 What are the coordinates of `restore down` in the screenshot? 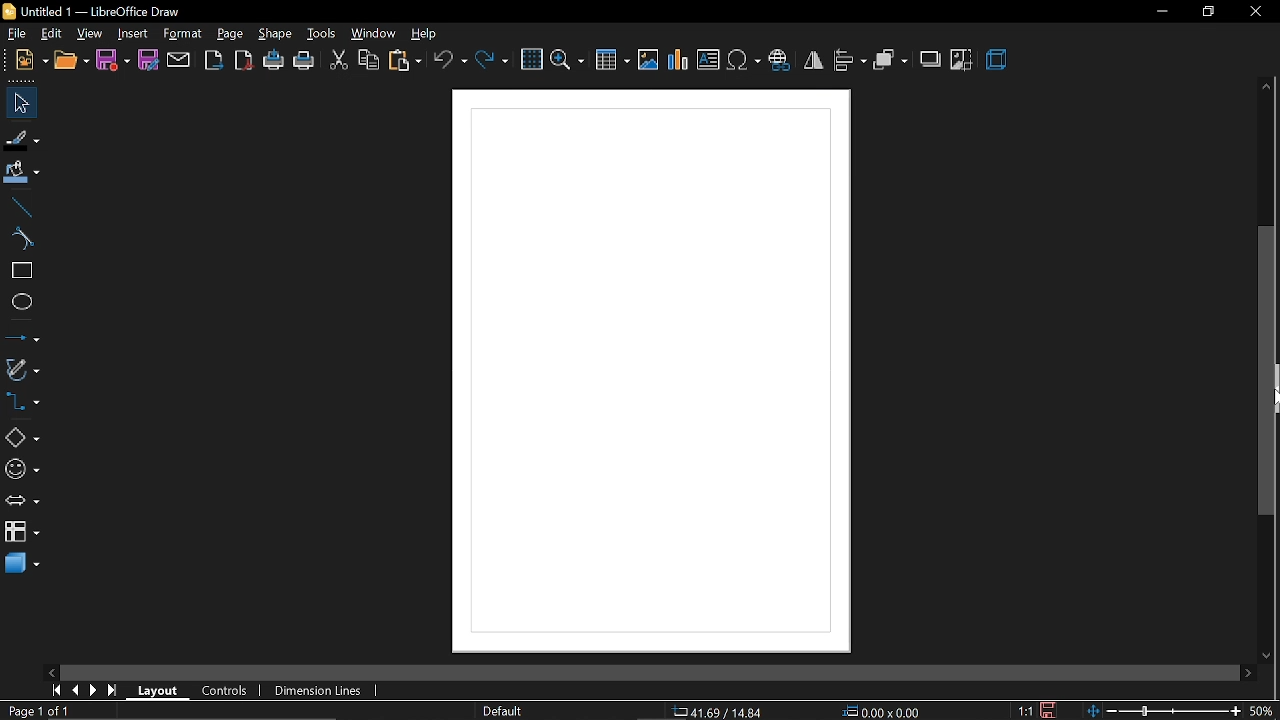 It's located at (1206, 12).